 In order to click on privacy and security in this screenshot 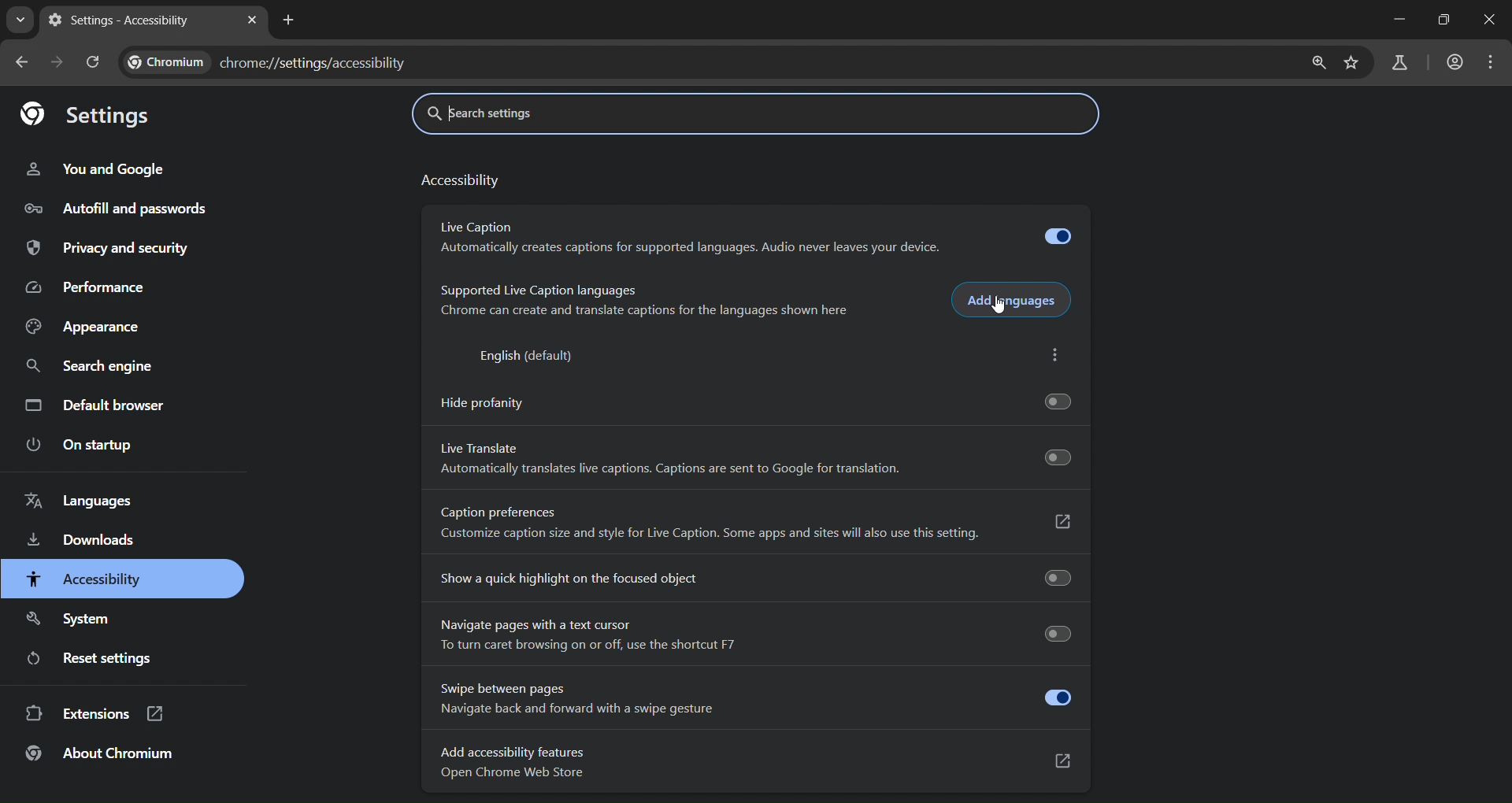, I will do `click(112, 249)`.